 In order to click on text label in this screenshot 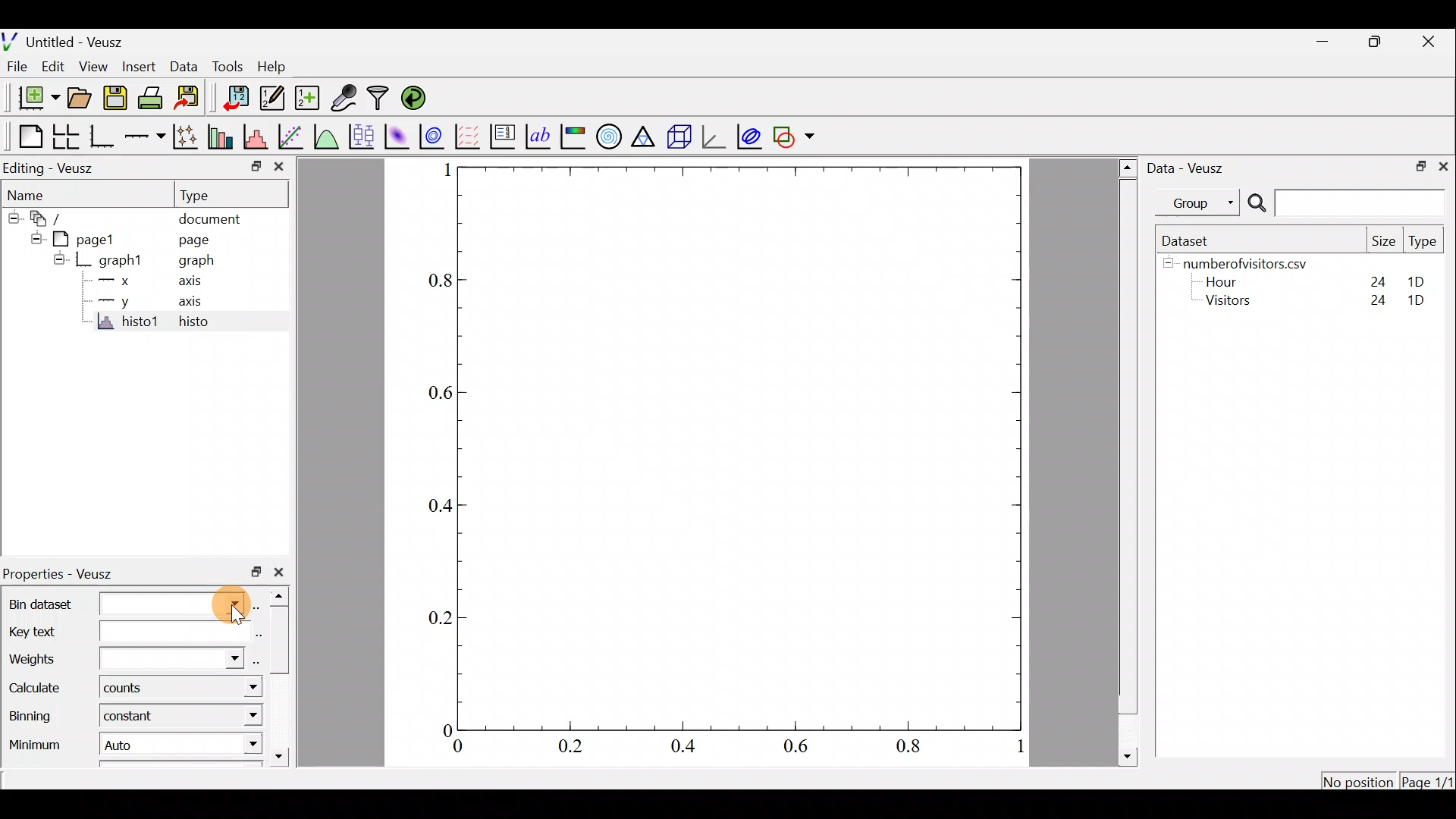, I will do `click(538, 136)`.